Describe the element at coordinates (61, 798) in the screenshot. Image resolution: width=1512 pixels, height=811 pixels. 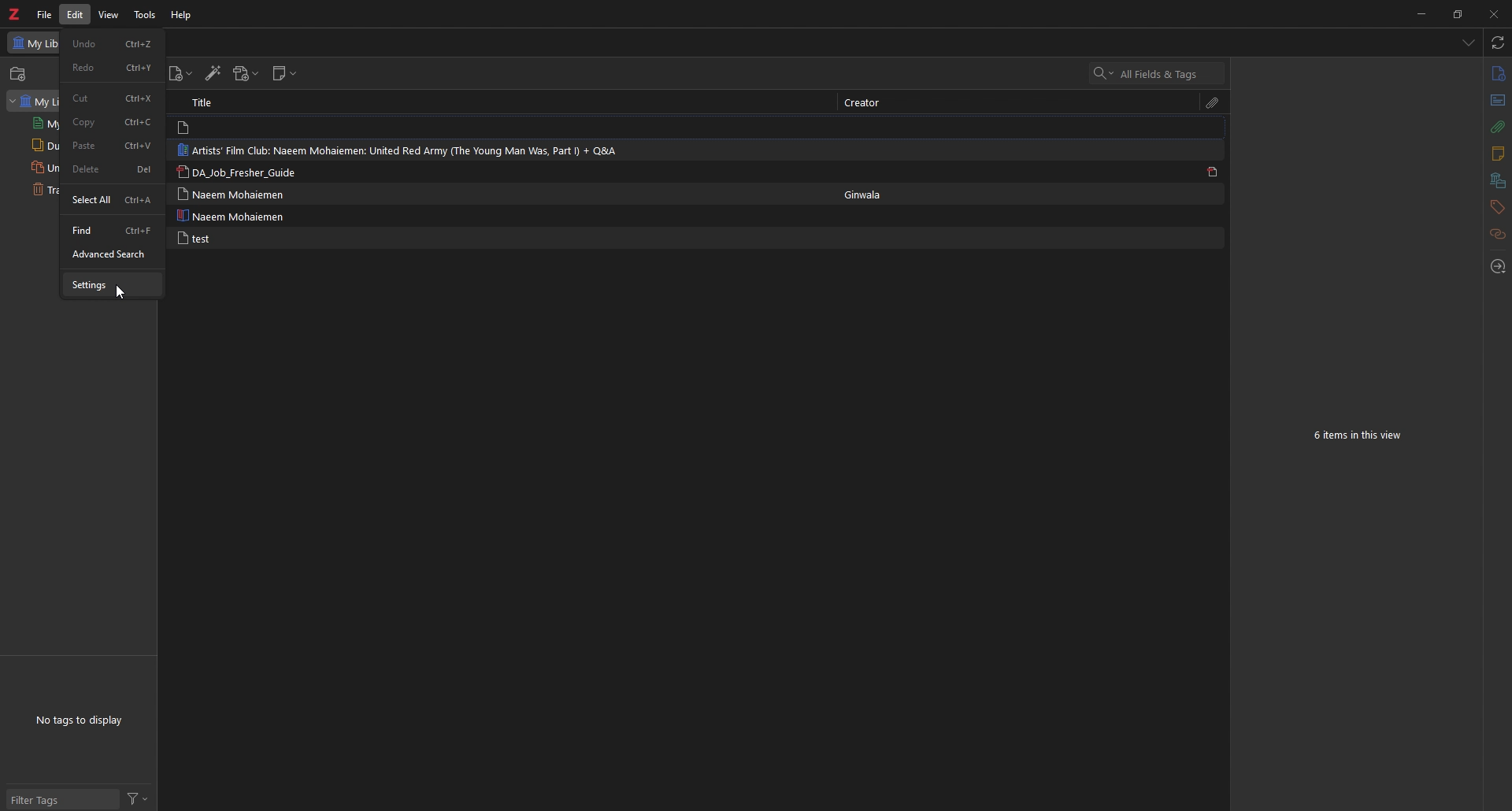
I see `filter tags` at that location.